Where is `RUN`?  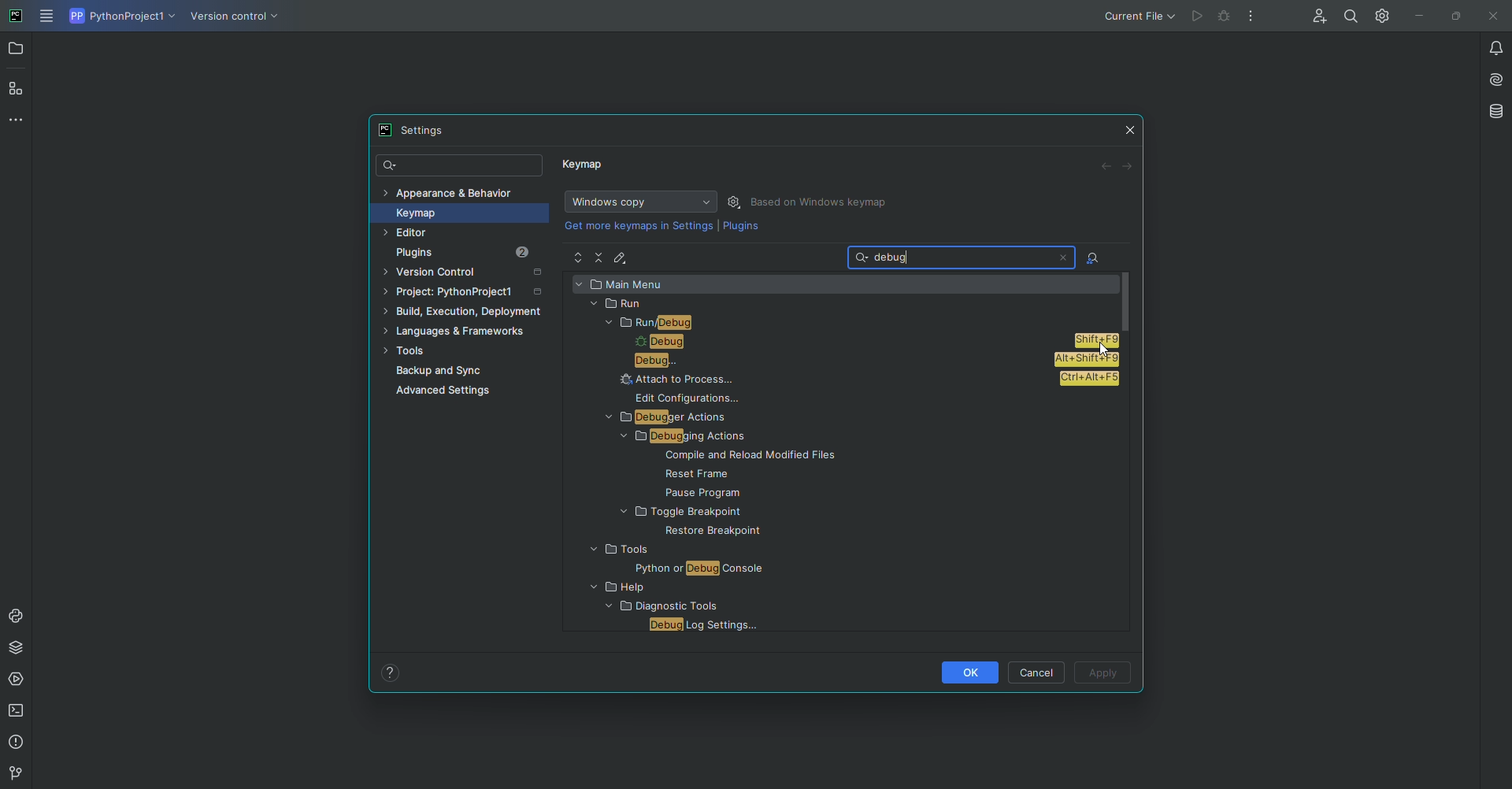
RUN is located at coordinates (840, 304).